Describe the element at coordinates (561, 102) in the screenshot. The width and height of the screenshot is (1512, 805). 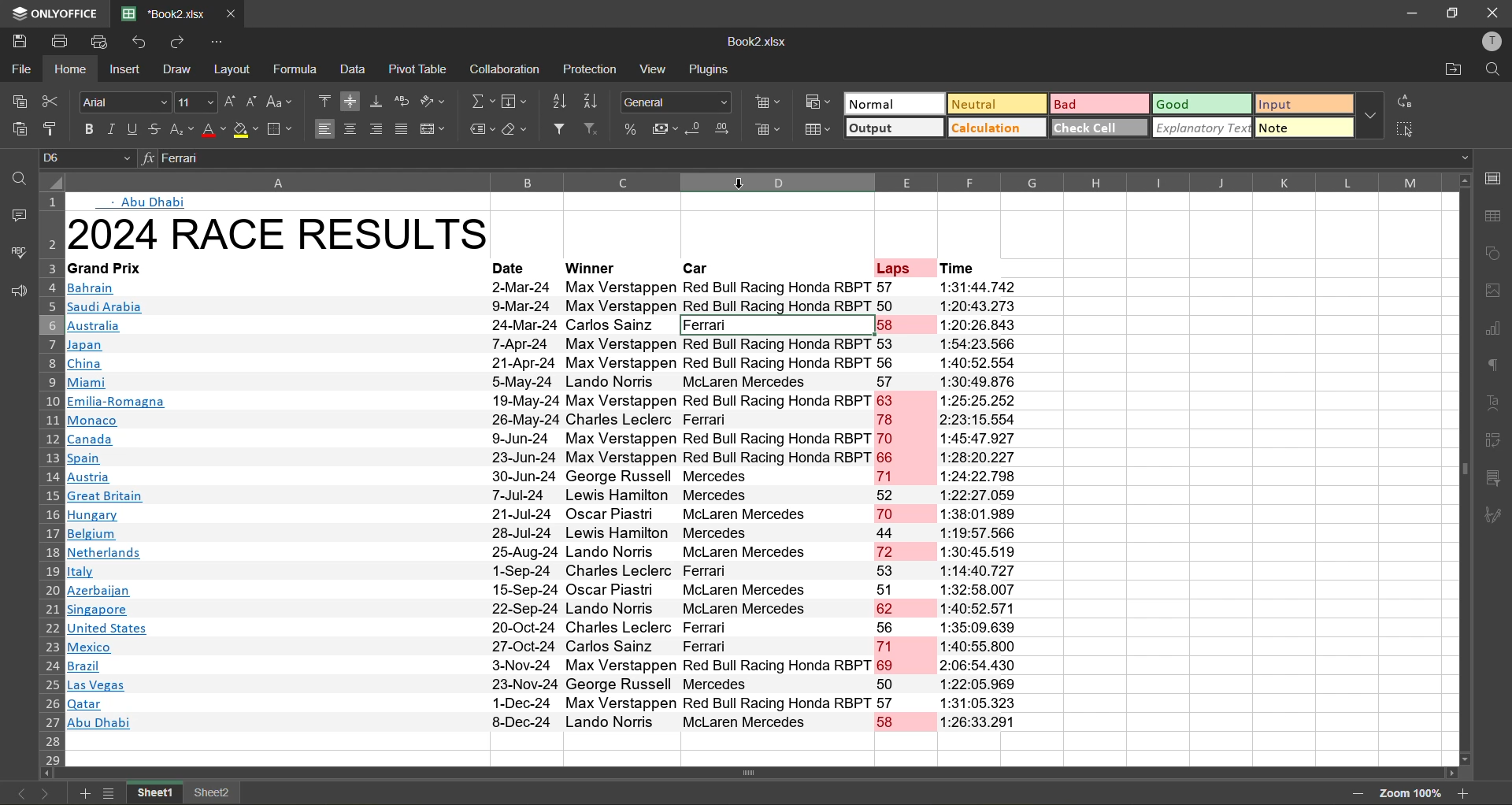
I see `sort ascending` at that location.